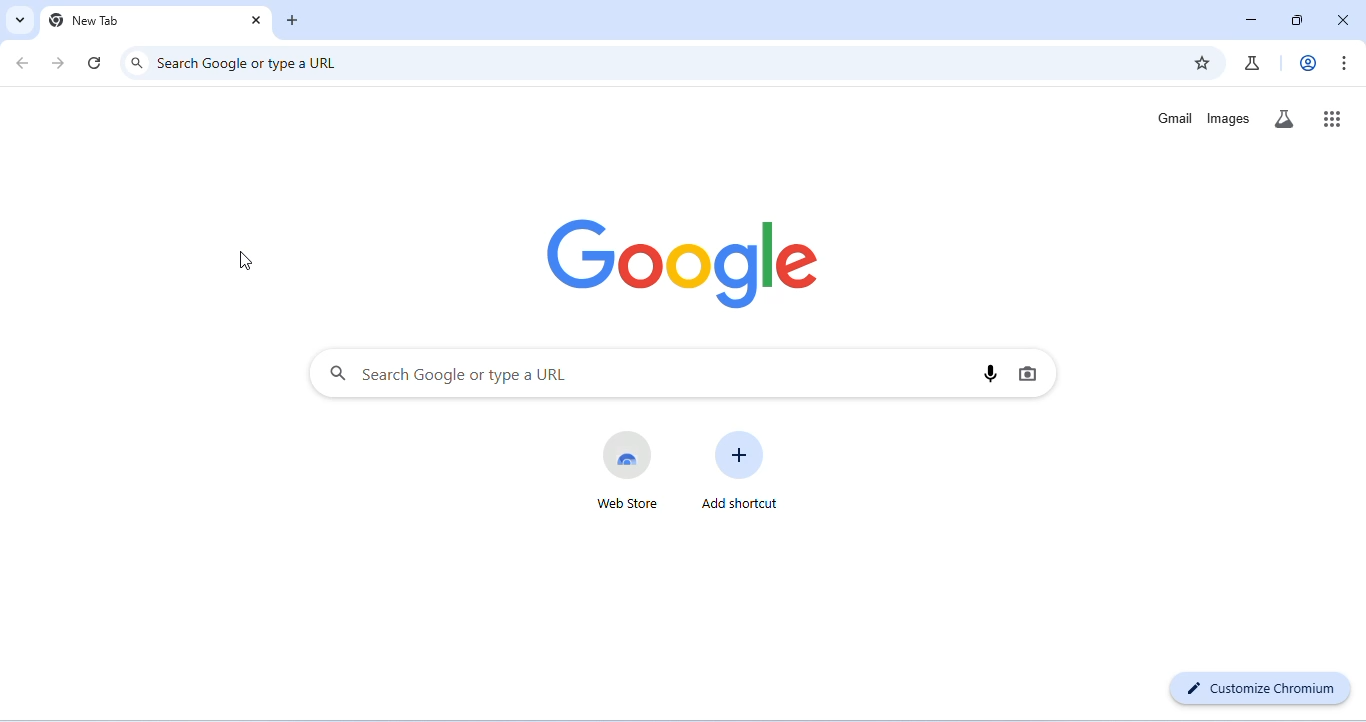  I want to click on search labs, so click(1284, 120).